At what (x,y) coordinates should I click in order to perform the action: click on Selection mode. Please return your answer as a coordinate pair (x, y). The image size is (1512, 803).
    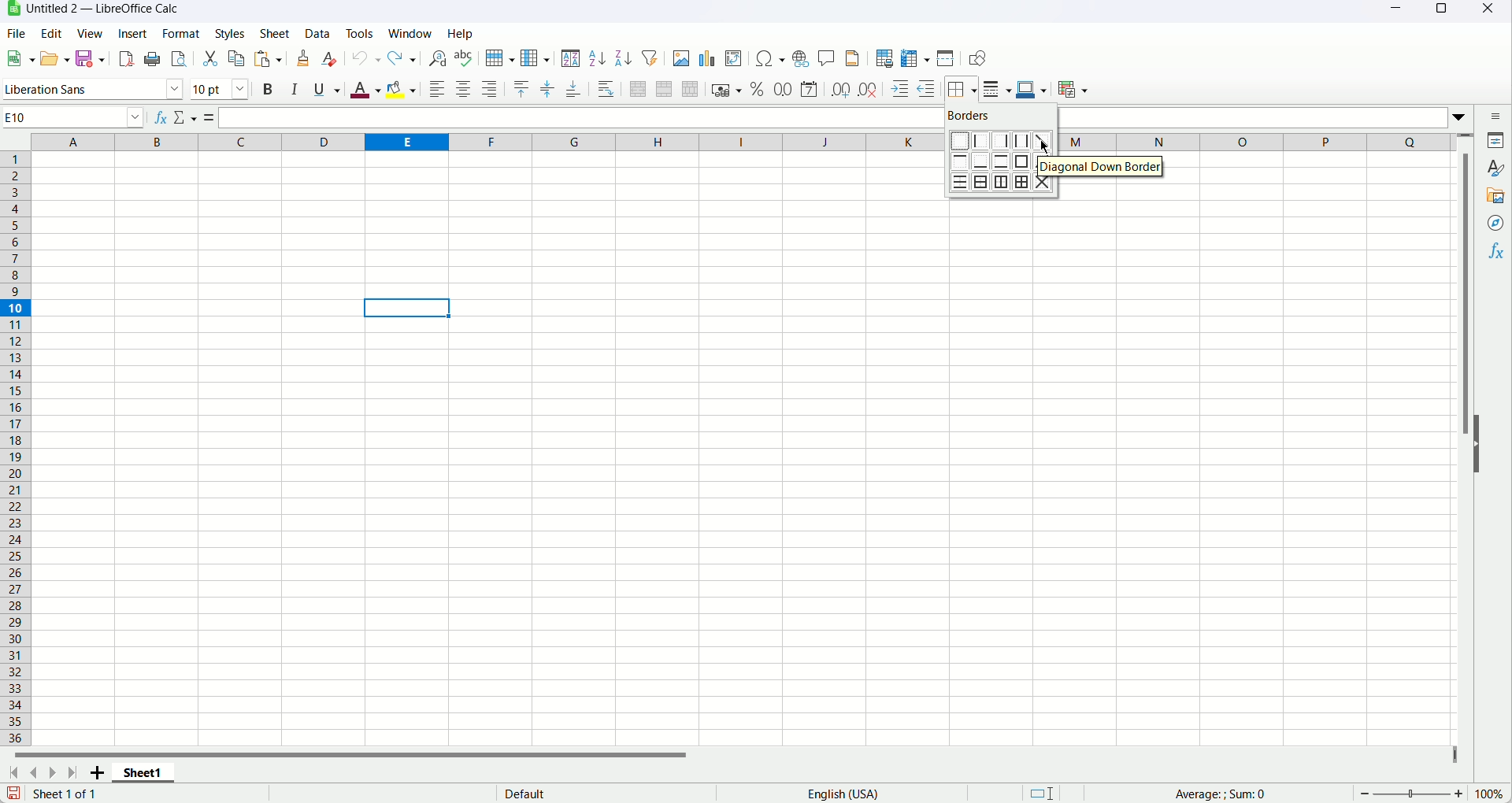
    Looking at the image, I should click on (1043, 793).